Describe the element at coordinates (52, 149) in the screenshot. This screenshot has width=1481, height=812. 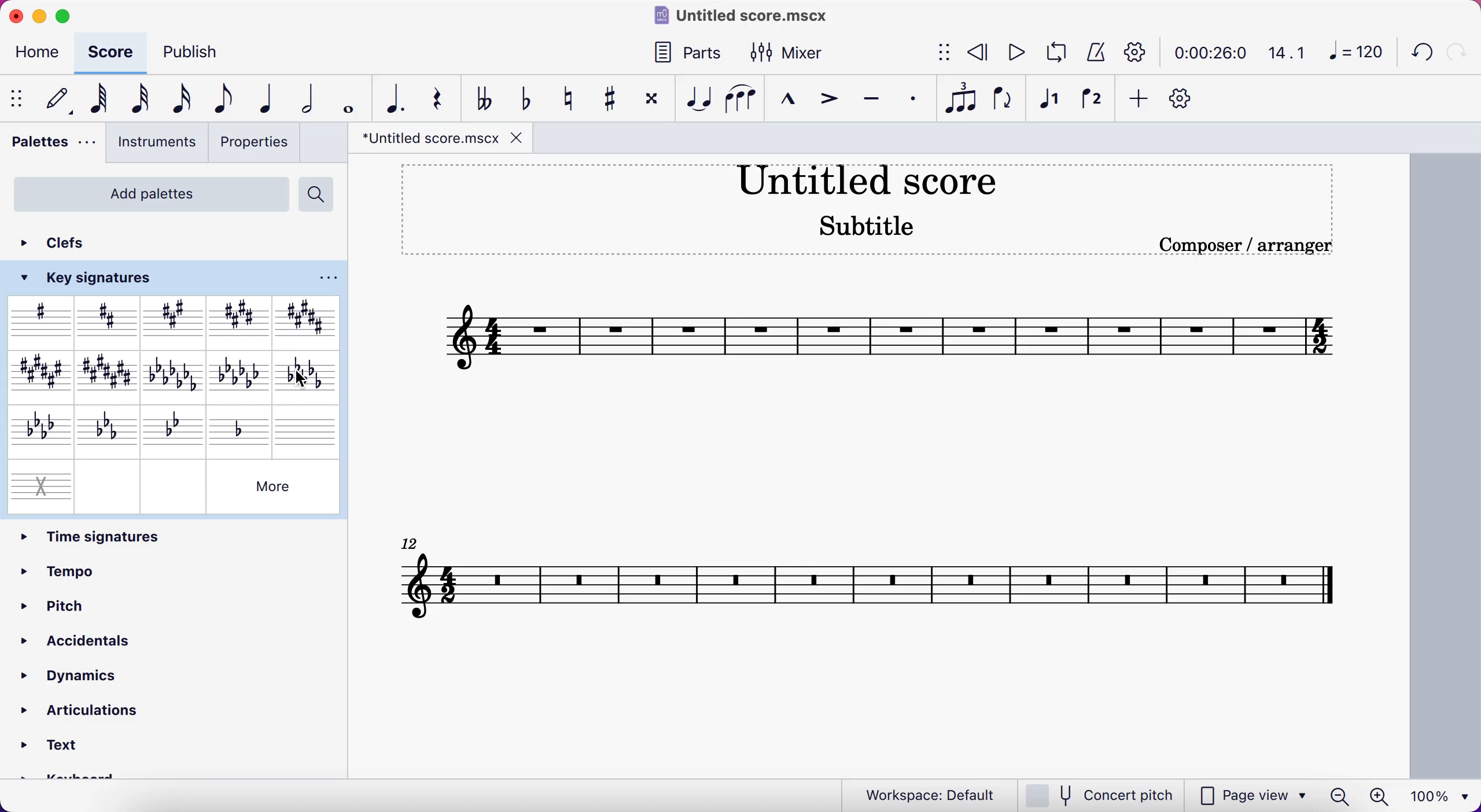
I see `palettes` at that location.